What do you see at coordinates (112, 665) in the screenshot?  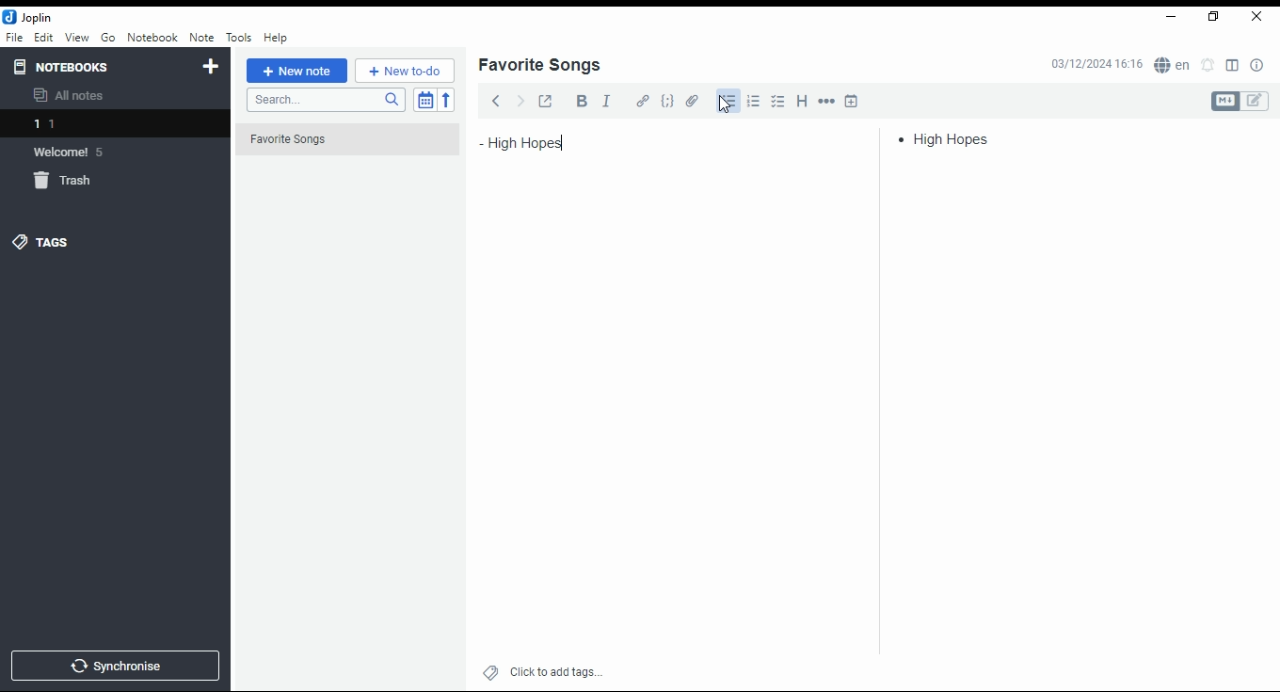 I see `synchronise` at bounding box center [112, 665].